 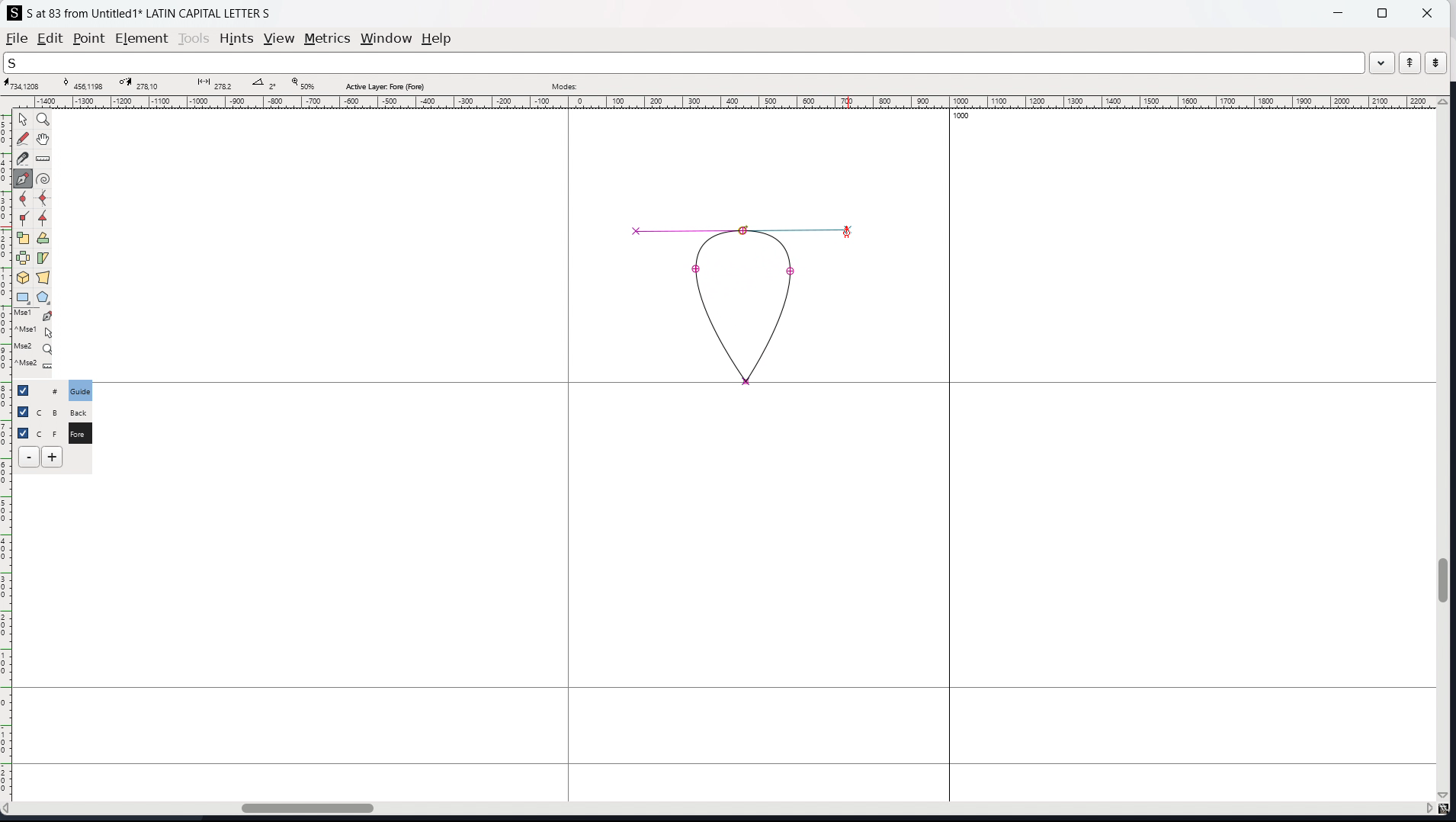 What do you see at coordinates (43, 159) in the screenshot?
I see `measure distance, angle between two points` at bounding box center [43, 159].